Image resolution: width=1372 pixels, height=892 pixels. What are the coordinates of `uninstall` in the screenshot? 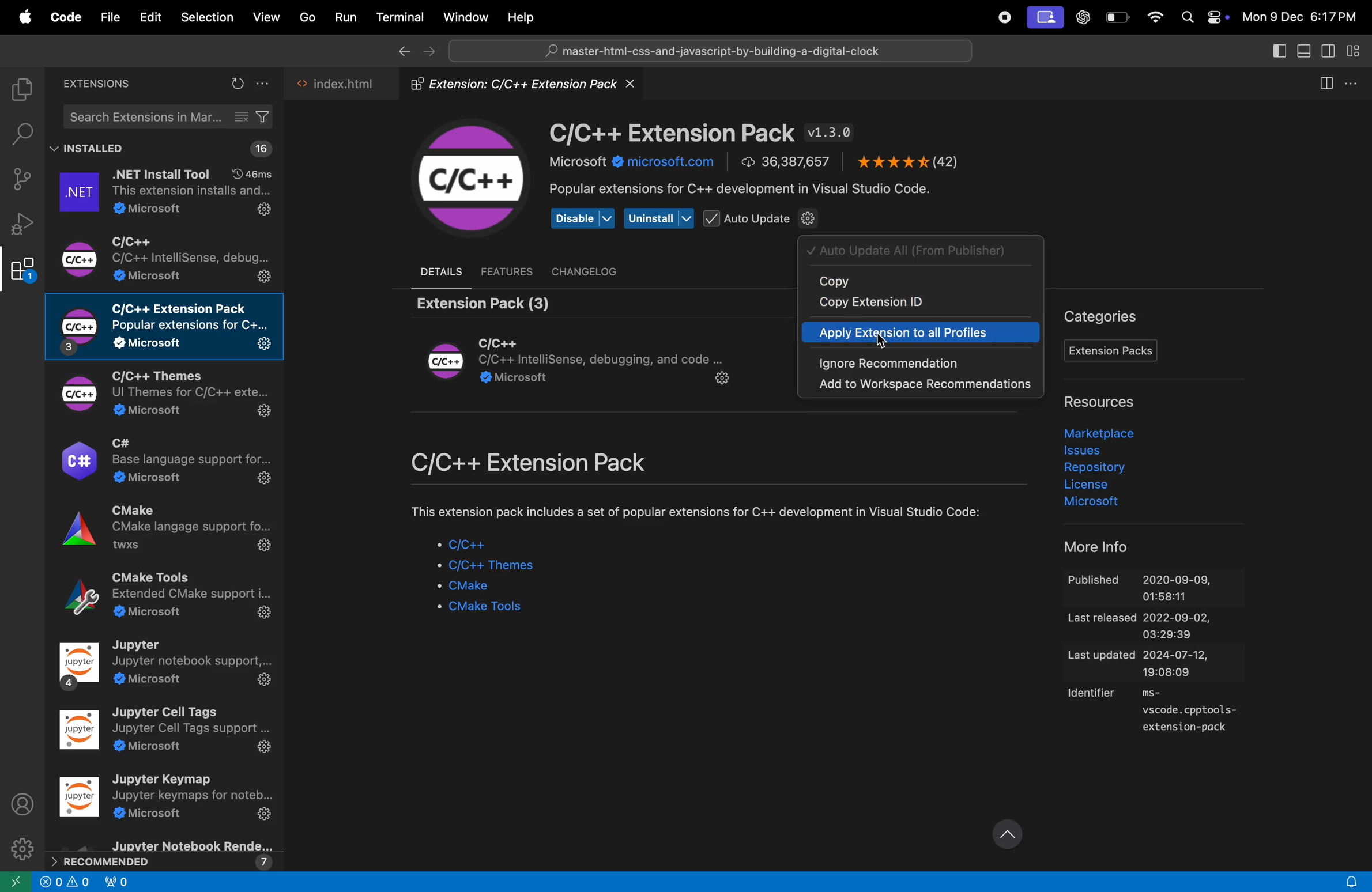 It's located at (659, 218).